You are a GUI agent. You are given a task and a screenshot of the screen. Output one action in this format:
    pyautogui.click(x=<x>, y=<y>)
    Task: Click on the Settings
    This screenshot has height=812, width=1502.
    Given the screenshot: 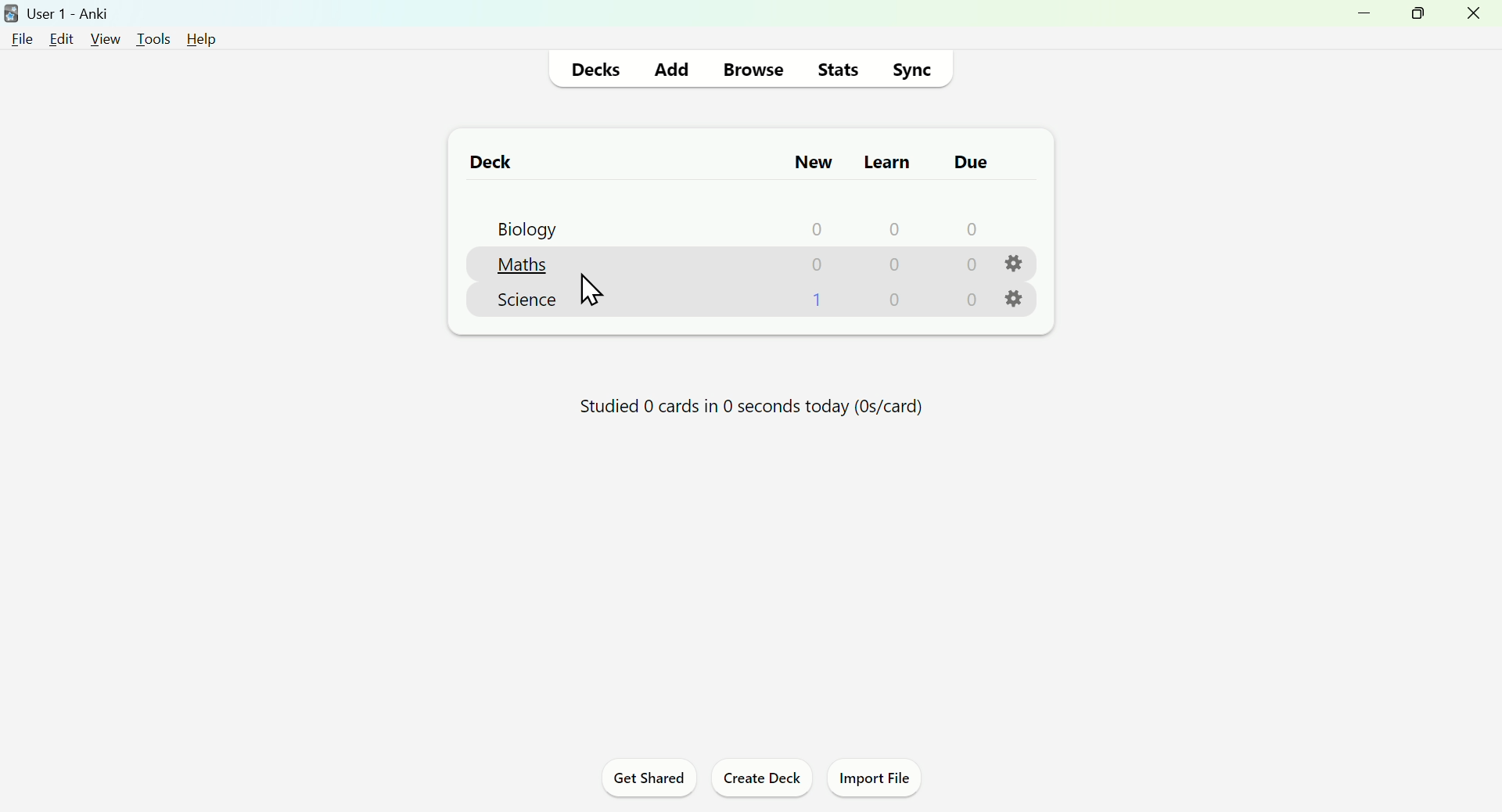 What is the action you would take?
    pyautogui.click(x=1014, y=264)
    